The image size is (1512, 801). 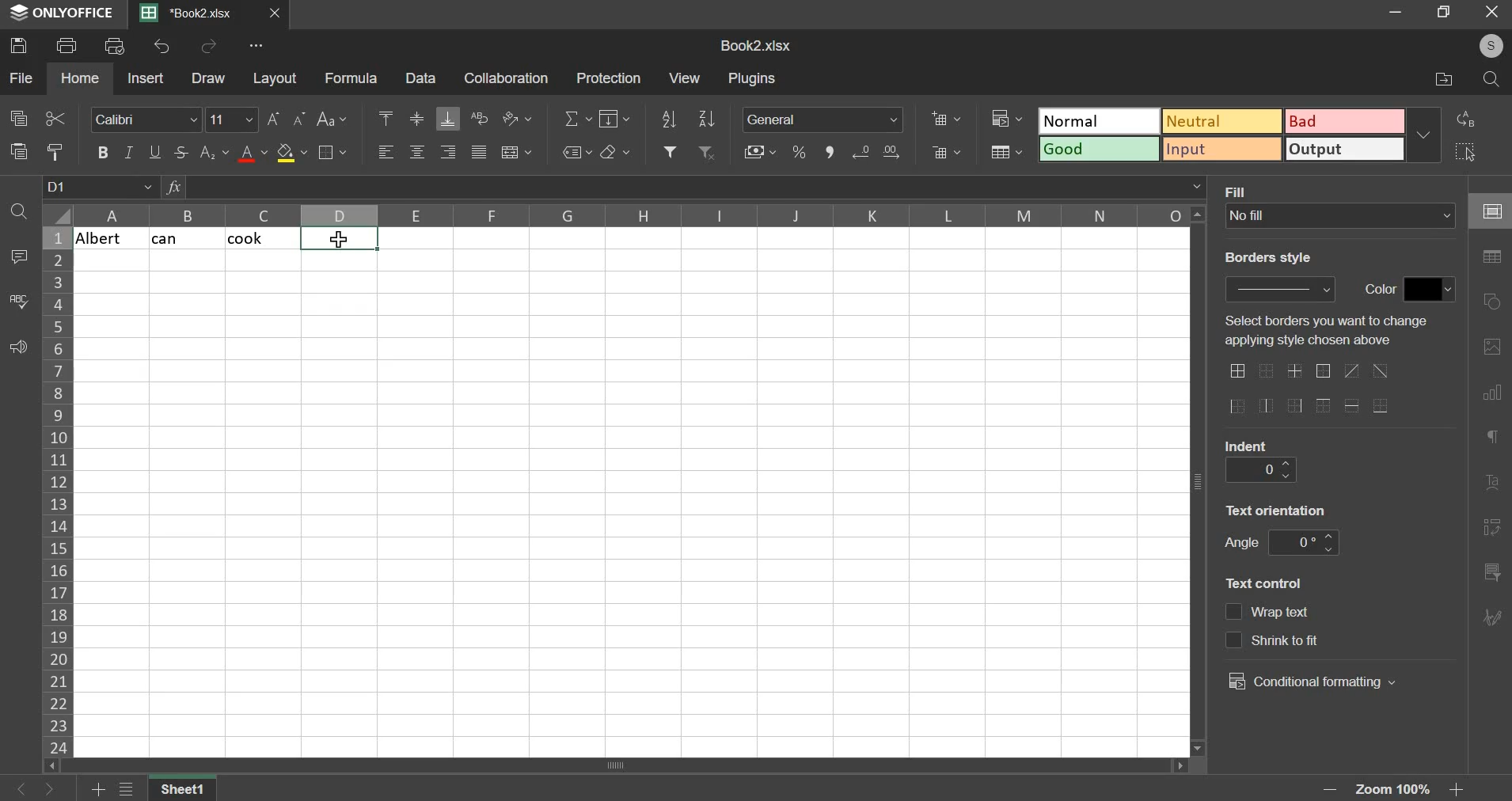 I want to click on text, so click(x=1264, y=582).